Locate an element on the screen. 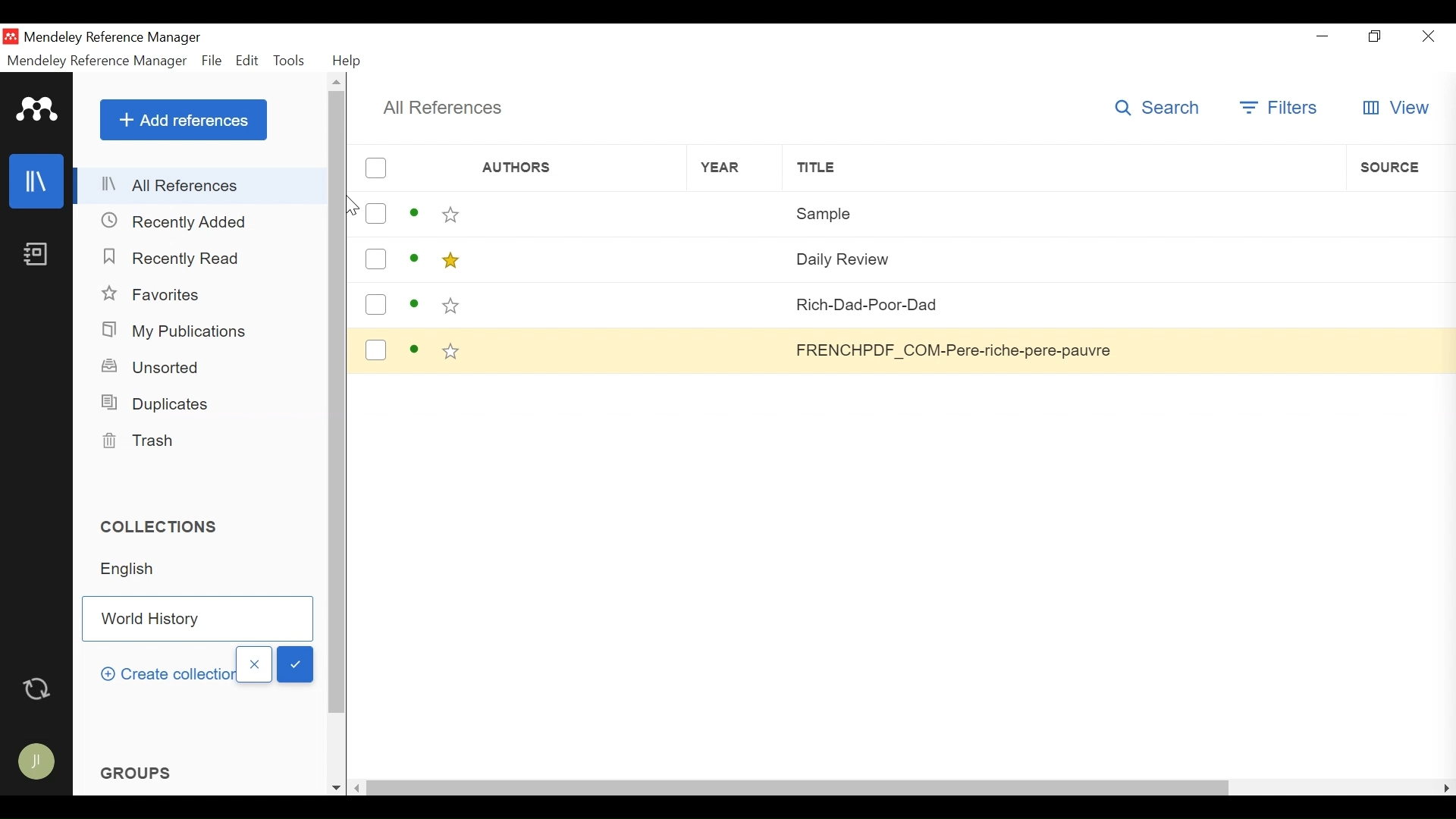 Image resolution: width=1456 pixels, height=819 pixels. Authors is located at coordinates (576, 305).